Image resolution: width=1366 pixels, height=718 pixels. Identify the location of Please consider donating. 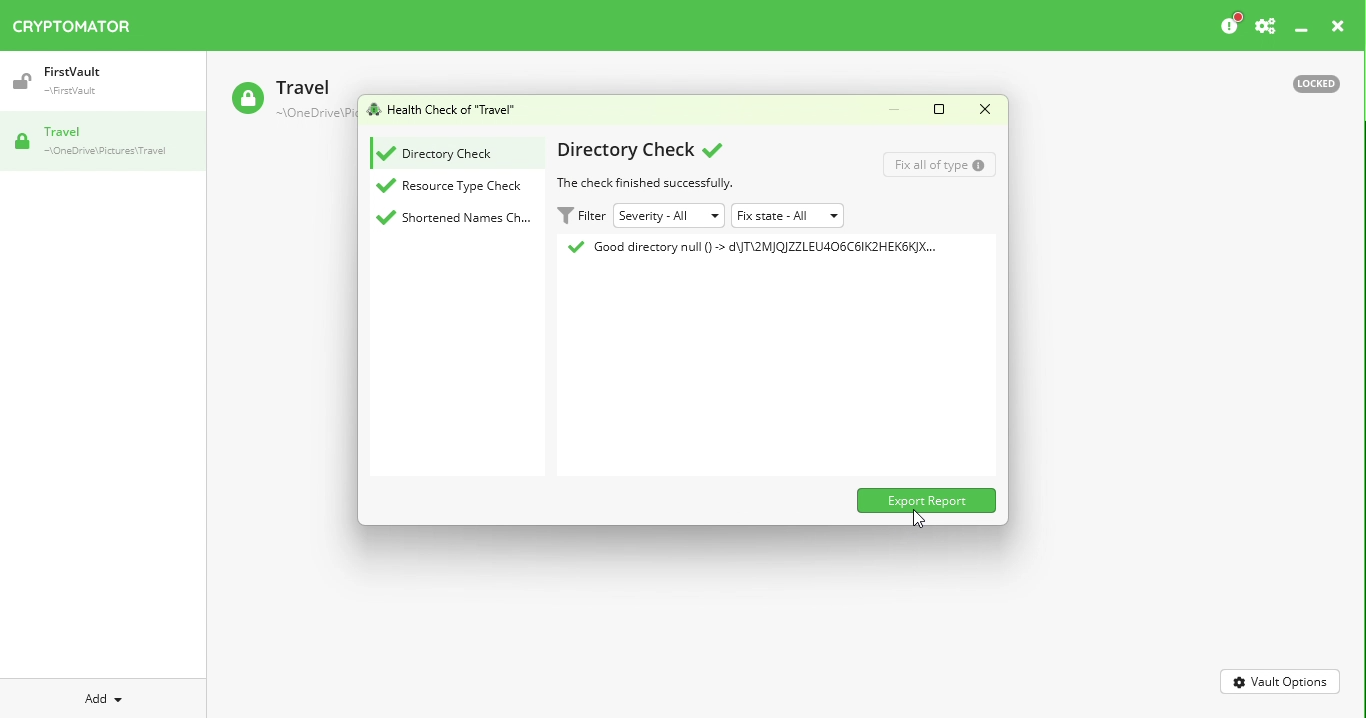
(1226, 24).